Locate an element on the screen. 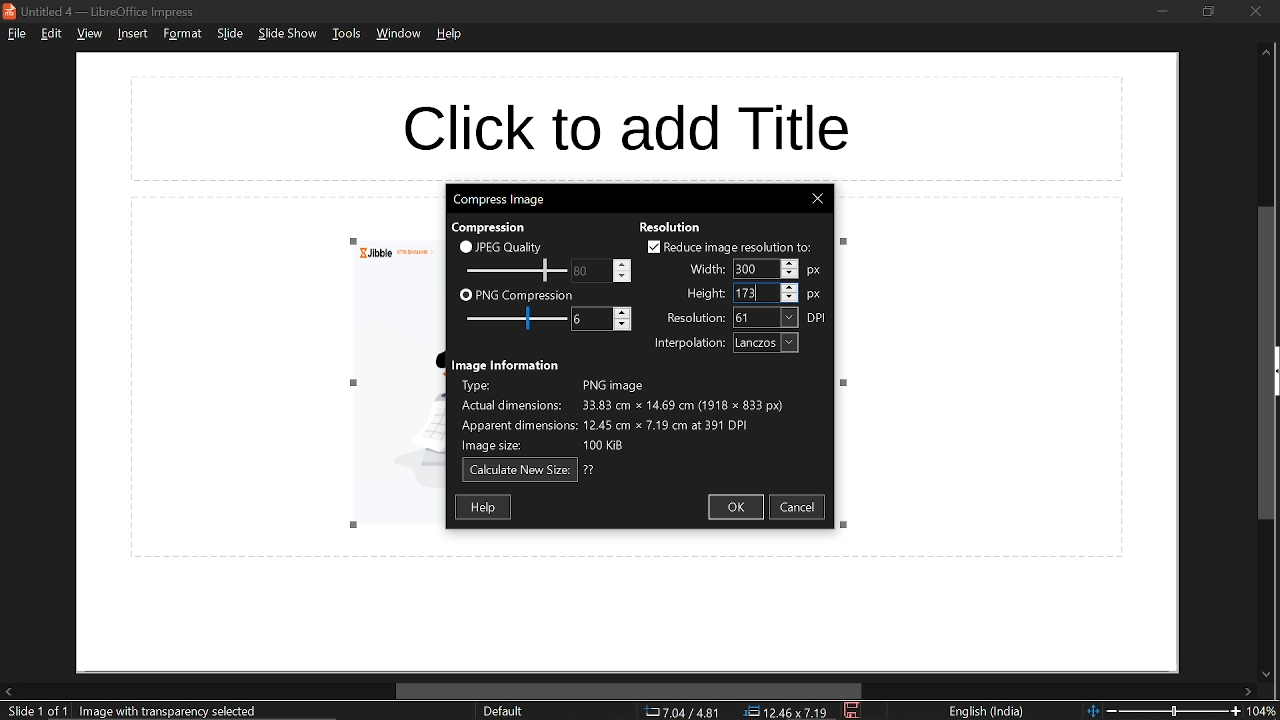 This screenshot has width=1280, height=720. Increase  is located at coordinates (623, 262).